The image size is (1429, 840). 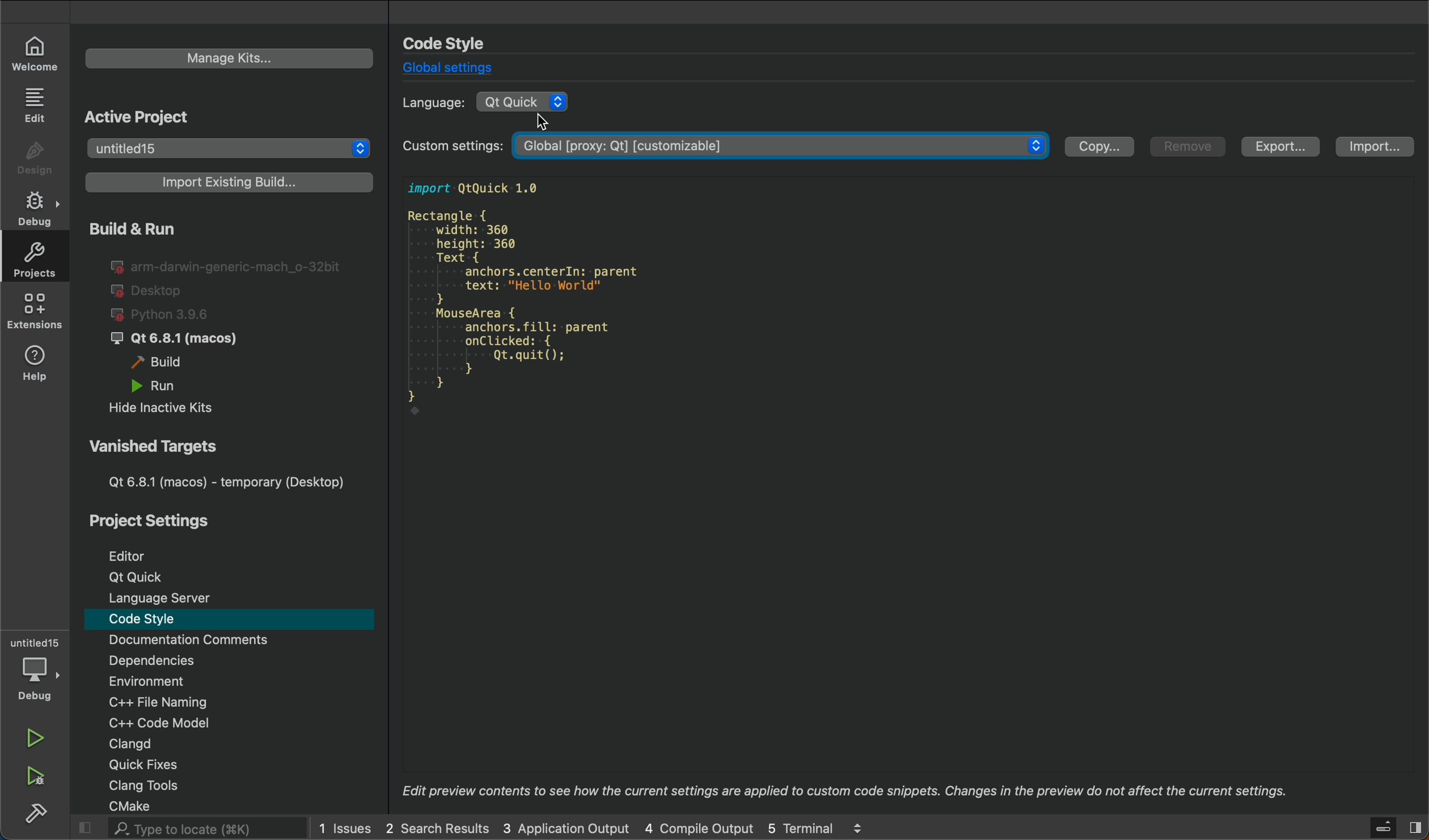 What do you see at coordinates (1098, 149) in the screenshot?
I see `copy` at bounding box center [1098, 149].